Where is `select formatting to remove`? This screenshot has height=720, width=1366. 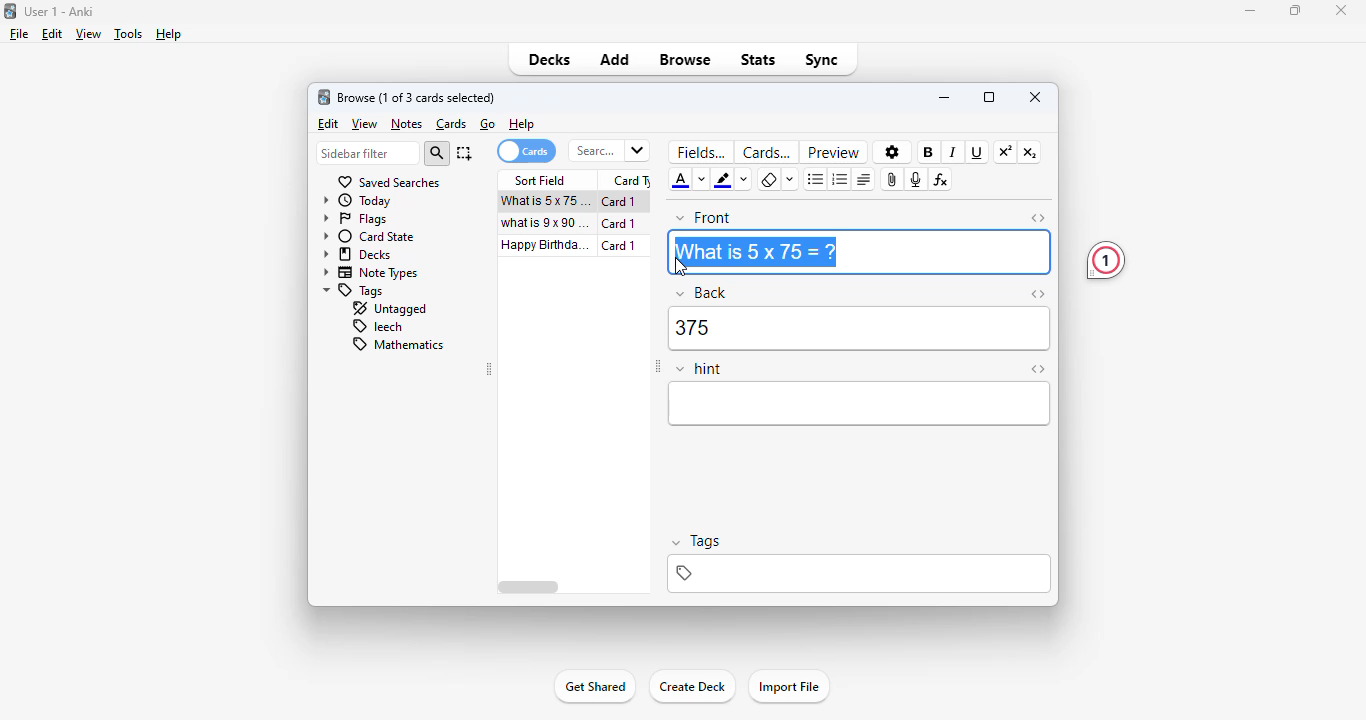
select formatting to remove is located at coordinates (789, 181).